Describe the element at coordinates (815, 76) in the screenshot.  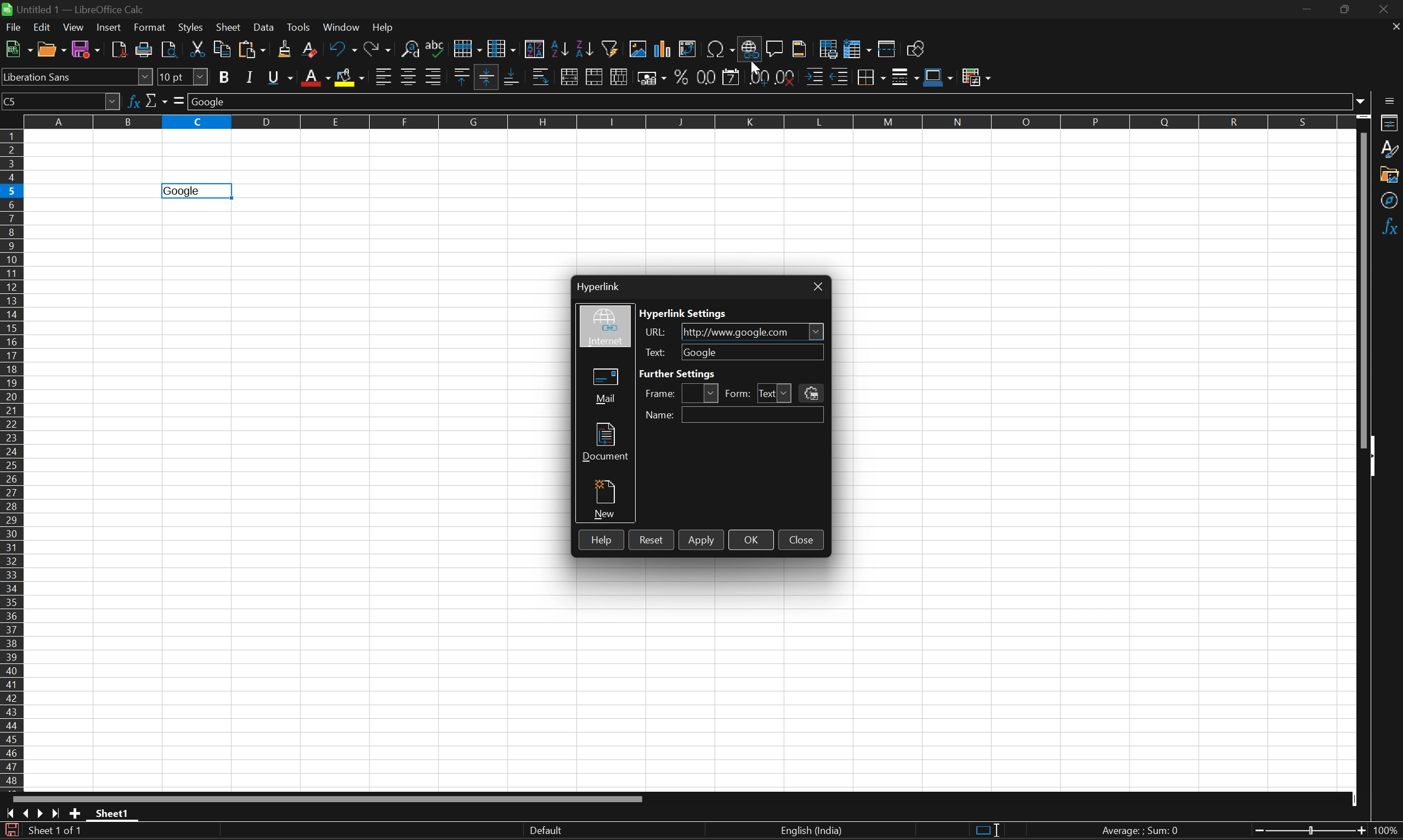
I see `Increase indent` at that location.